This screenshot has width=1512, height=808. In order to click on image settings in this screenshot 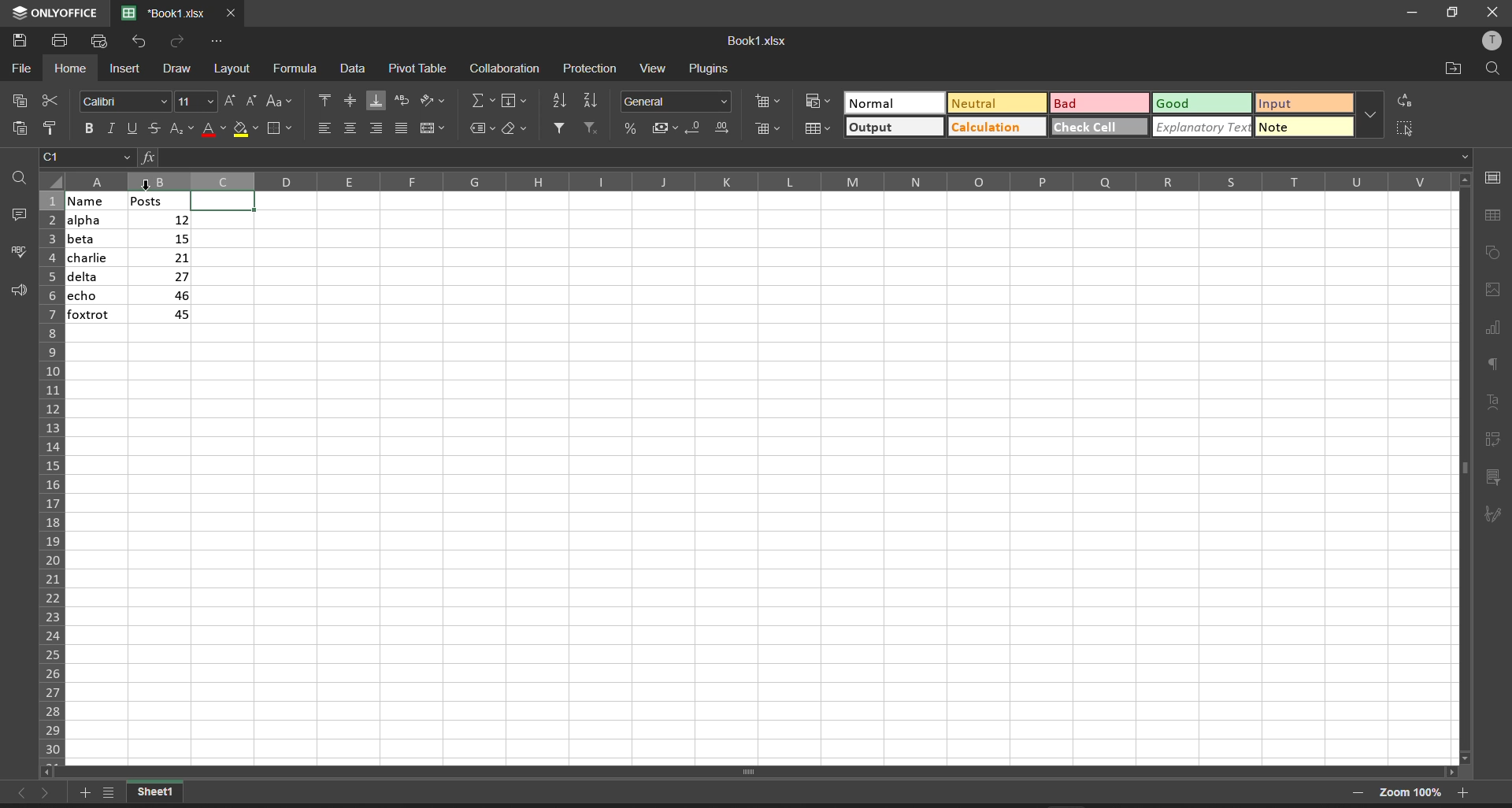, I will do `click(1498, 291)`.